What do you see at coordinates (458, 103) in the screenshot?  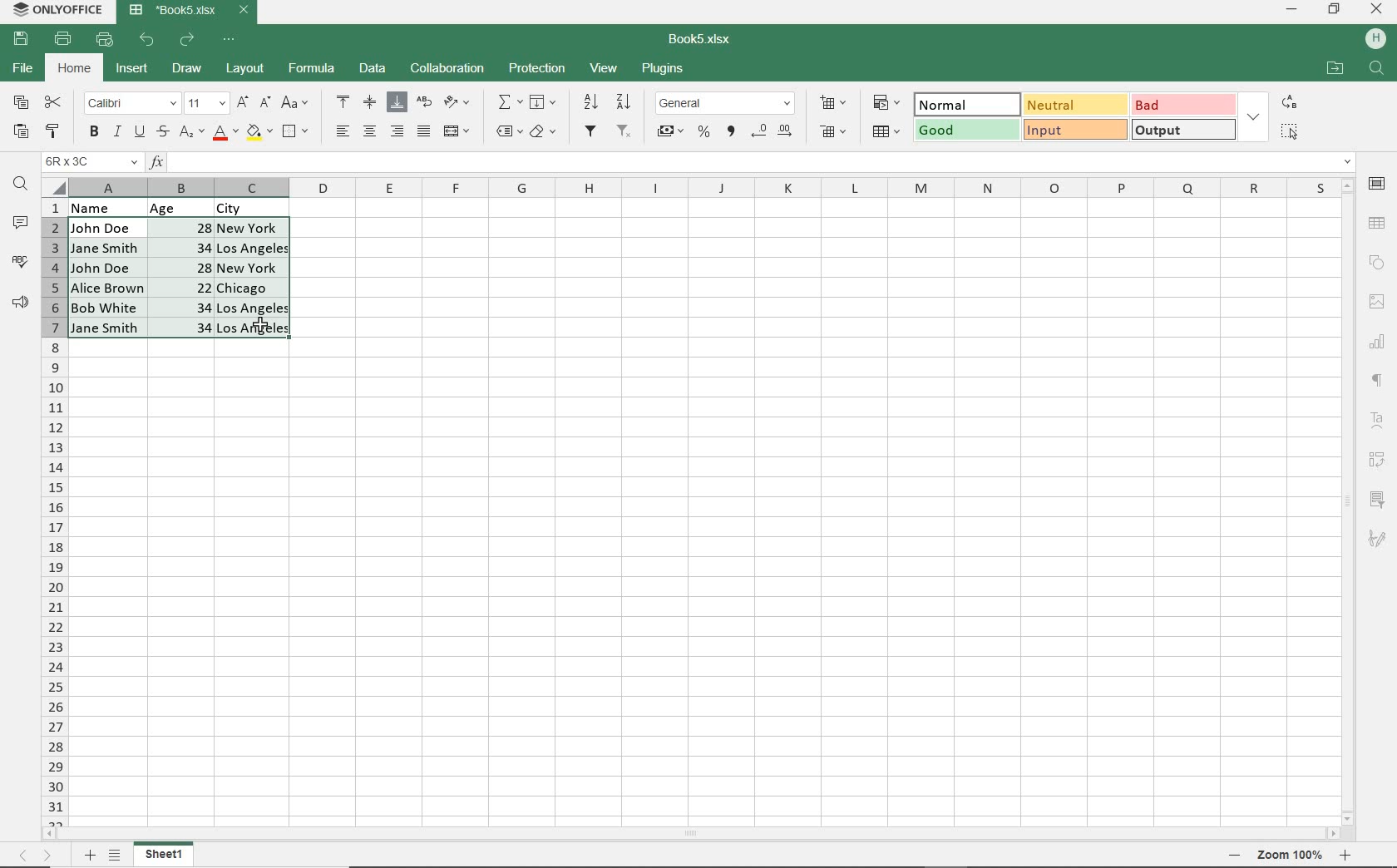 I see `ORIENTATION` at bounding box center [458, 103].